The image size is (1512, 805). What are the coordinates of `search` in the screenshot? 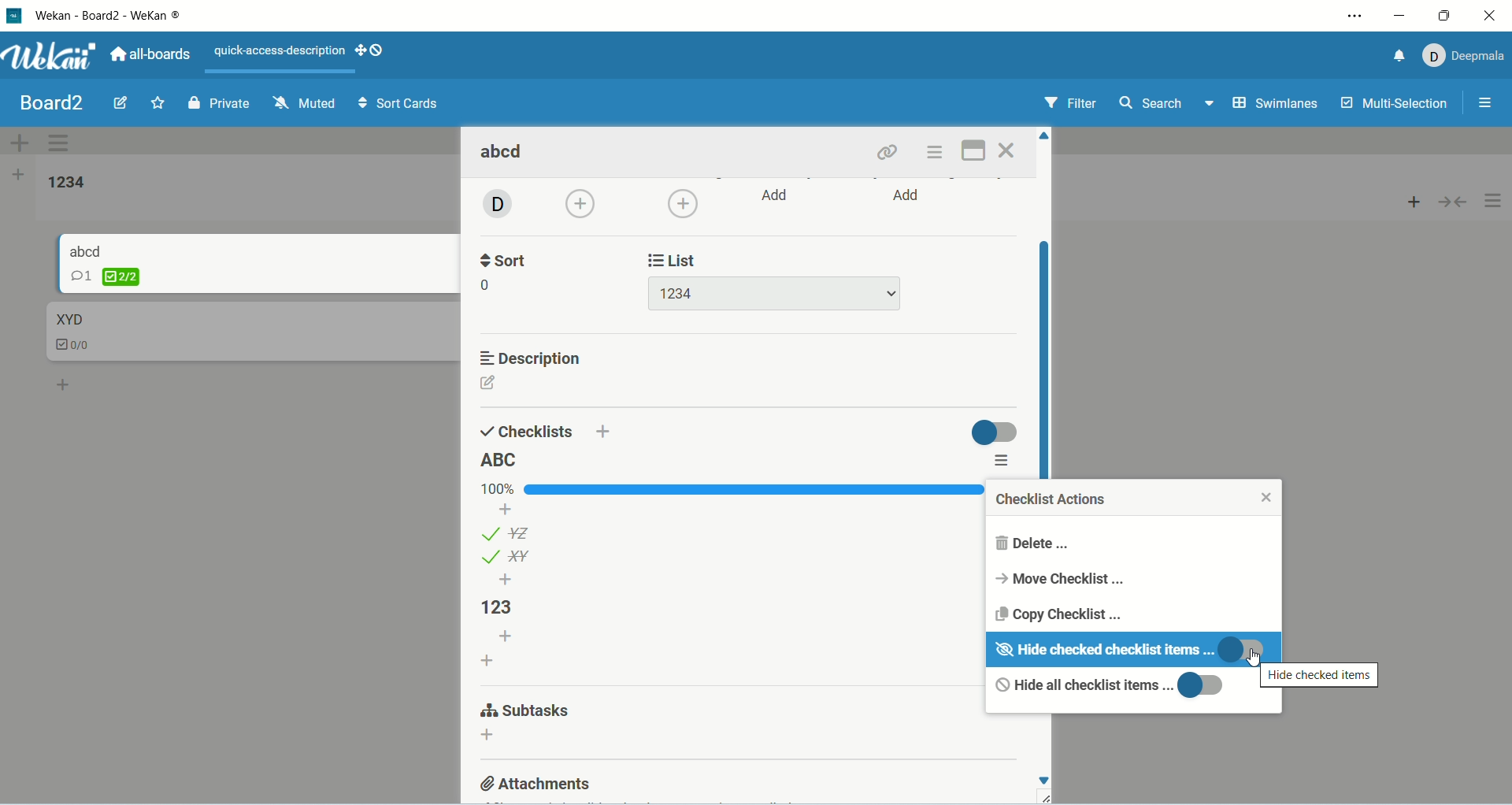 It's located at (1169, 105).